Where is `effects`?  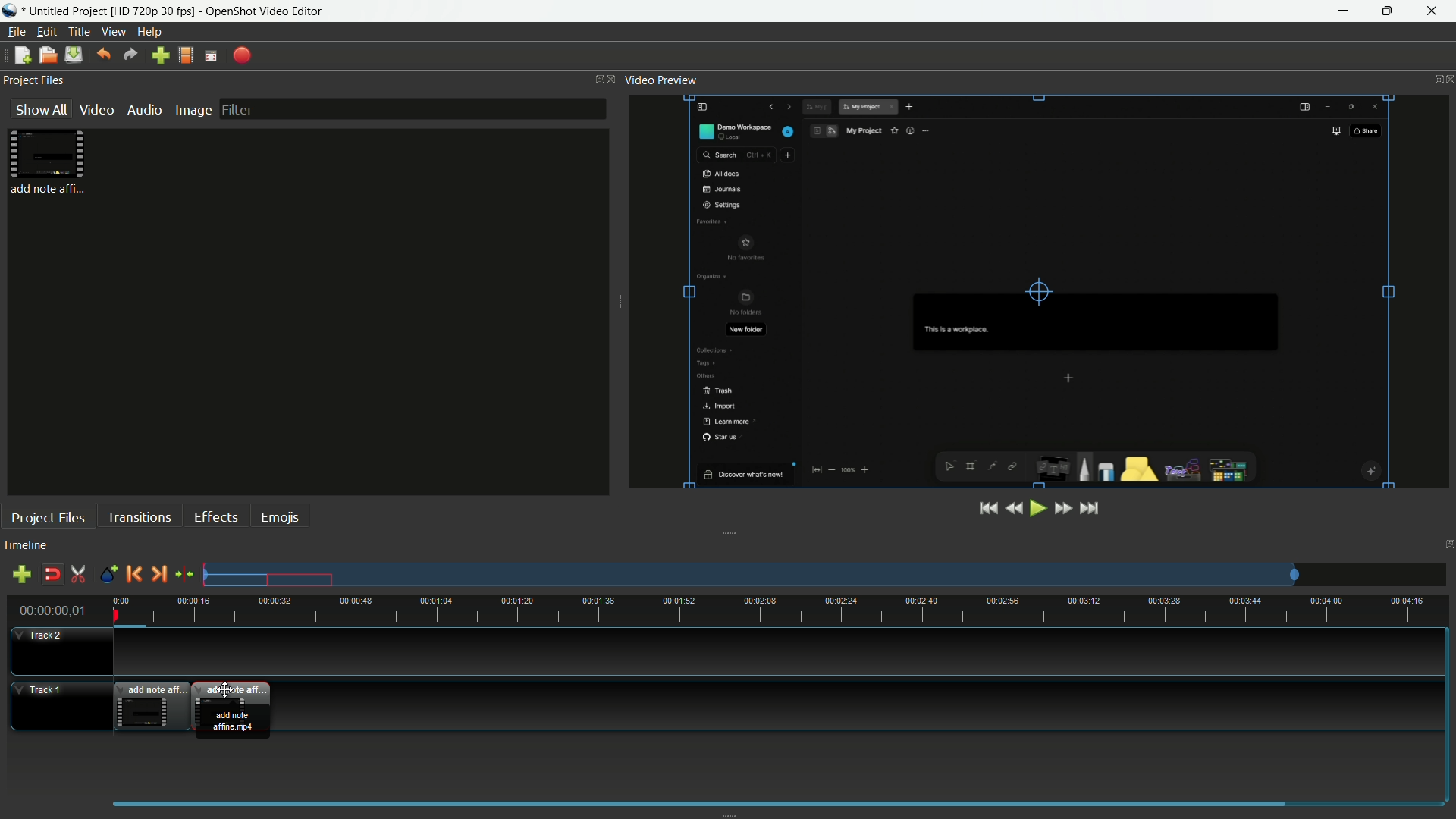 effects is located at coordinates (215, 517).